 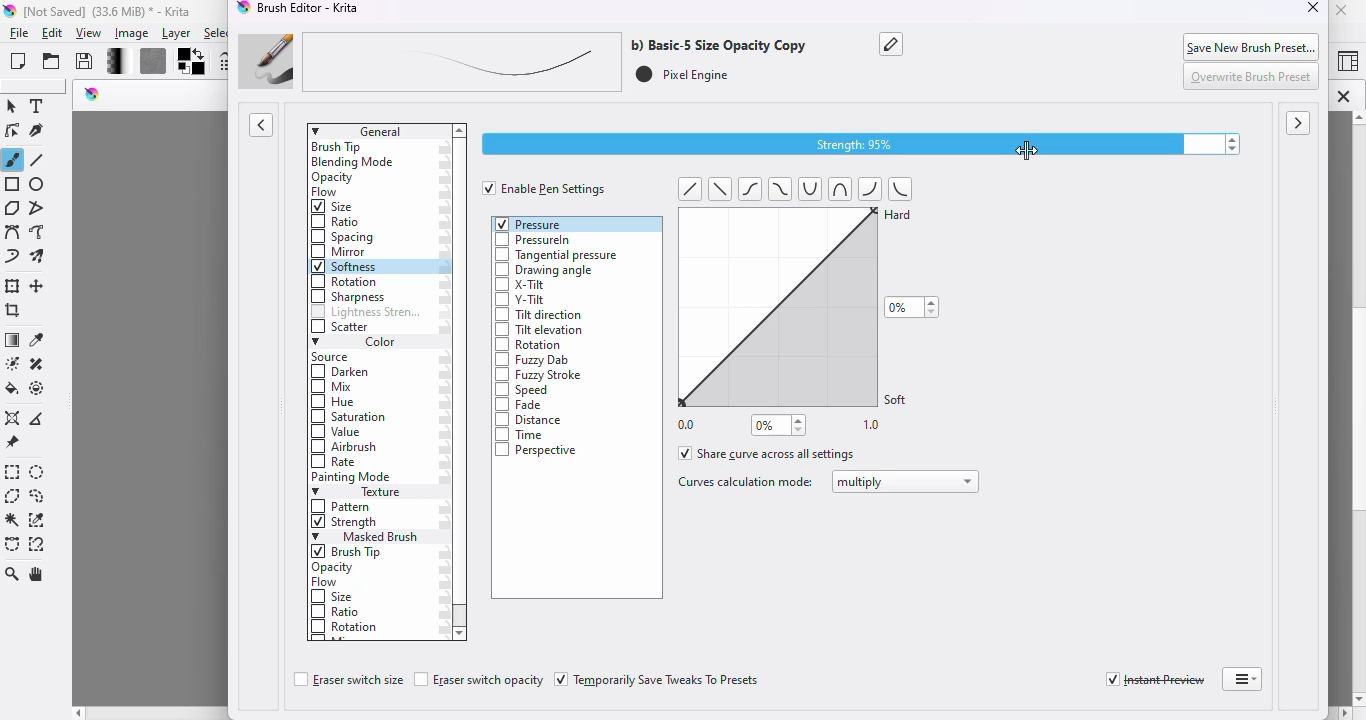 I want to click on texture, so click(x=363, y=493).